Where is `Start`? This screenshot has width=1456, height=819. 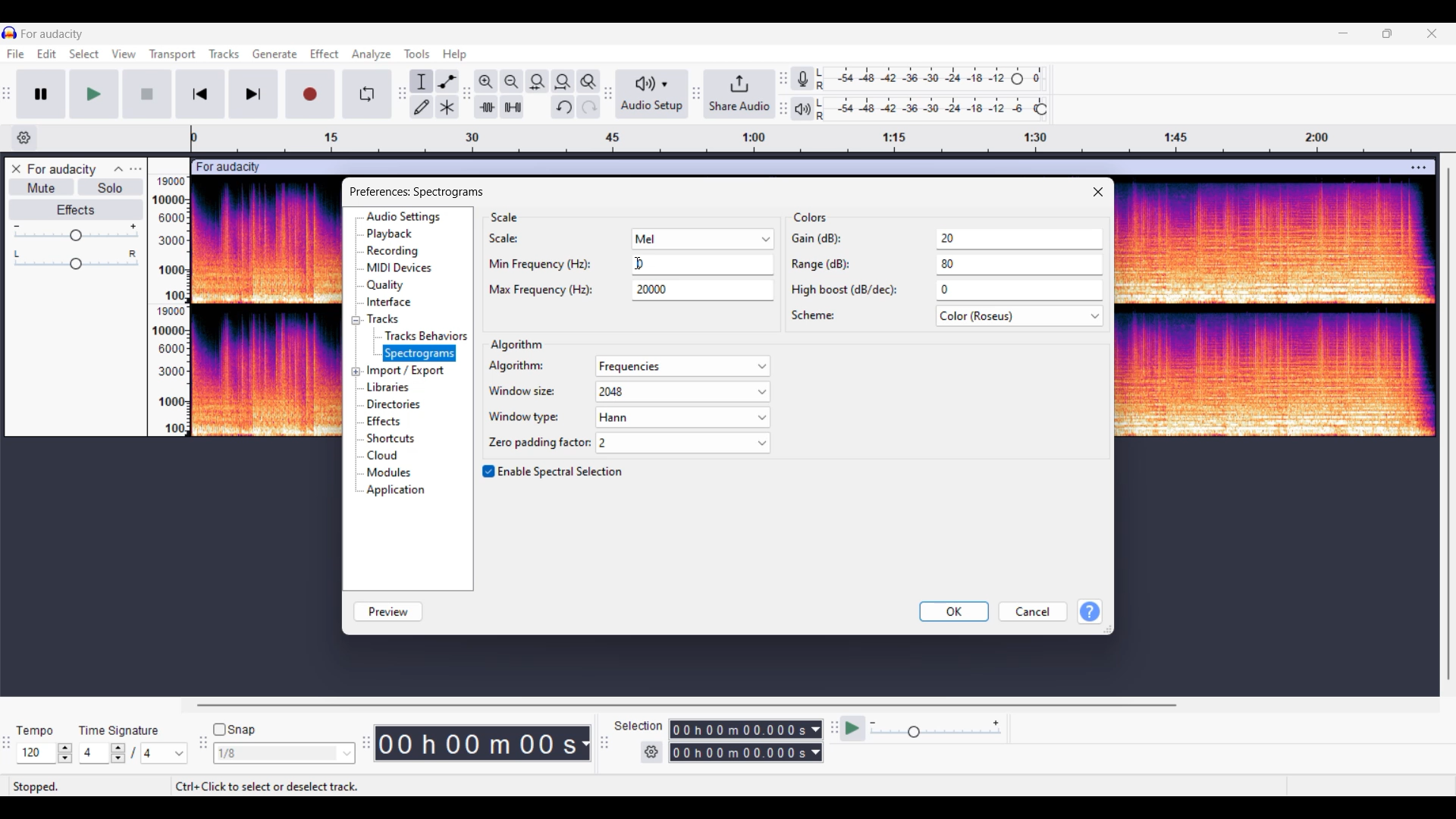 Start is located at coordinates (148, 94).